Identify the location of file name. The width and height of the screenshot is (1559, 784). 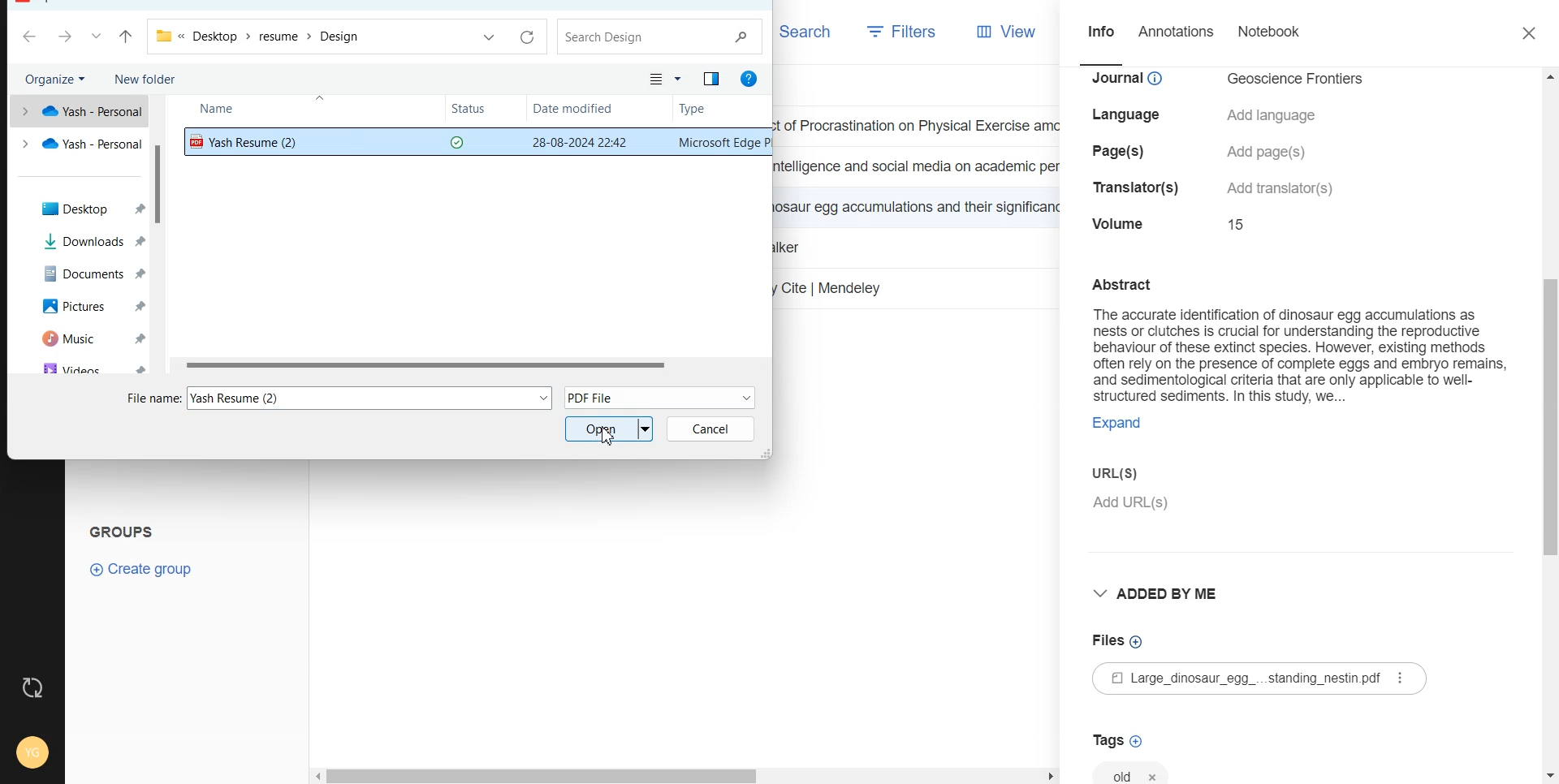
(153, 398).